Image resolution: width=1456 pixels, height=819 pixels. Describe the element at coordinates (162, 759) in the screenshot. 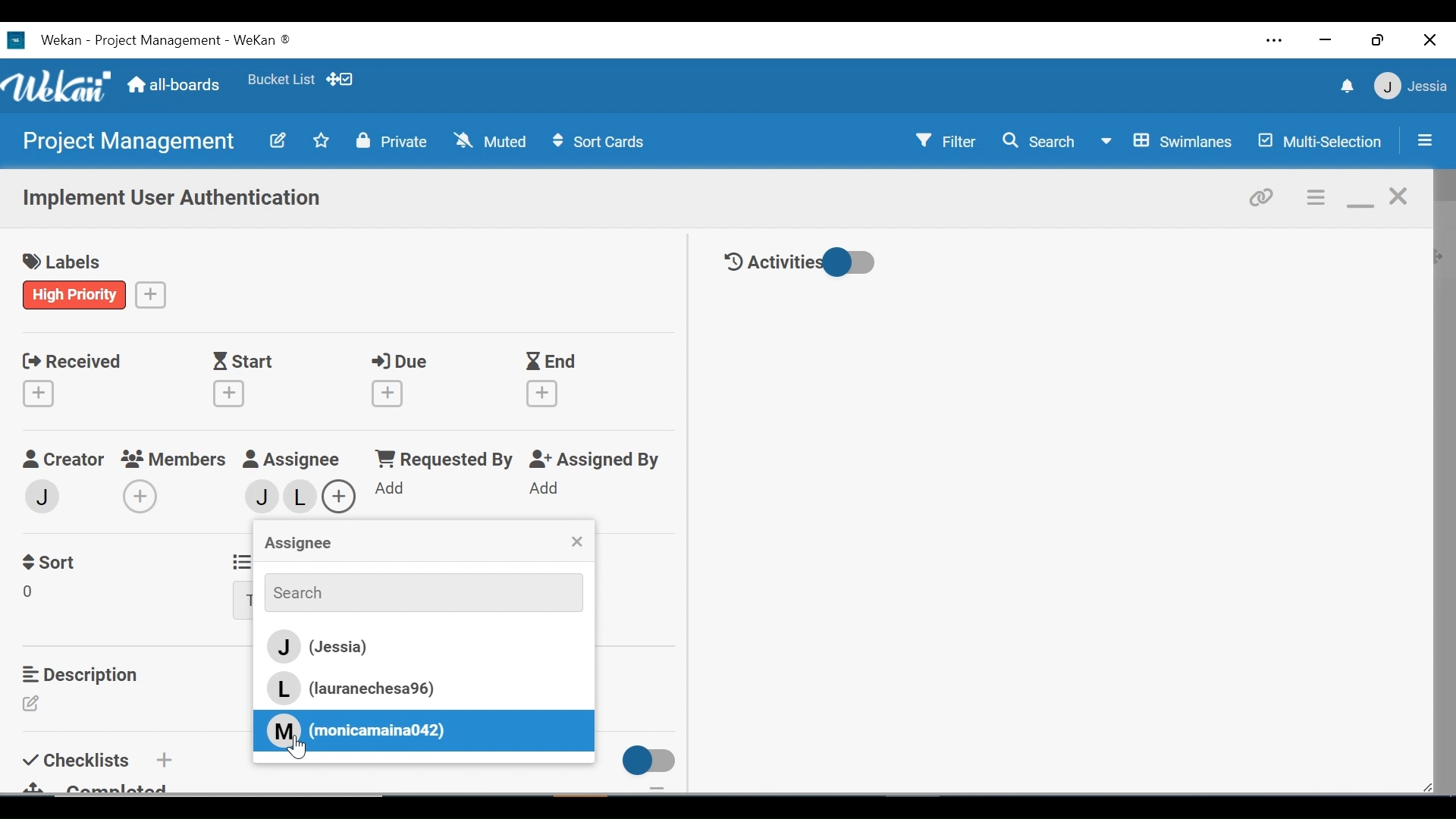

I see `Add` at that location.